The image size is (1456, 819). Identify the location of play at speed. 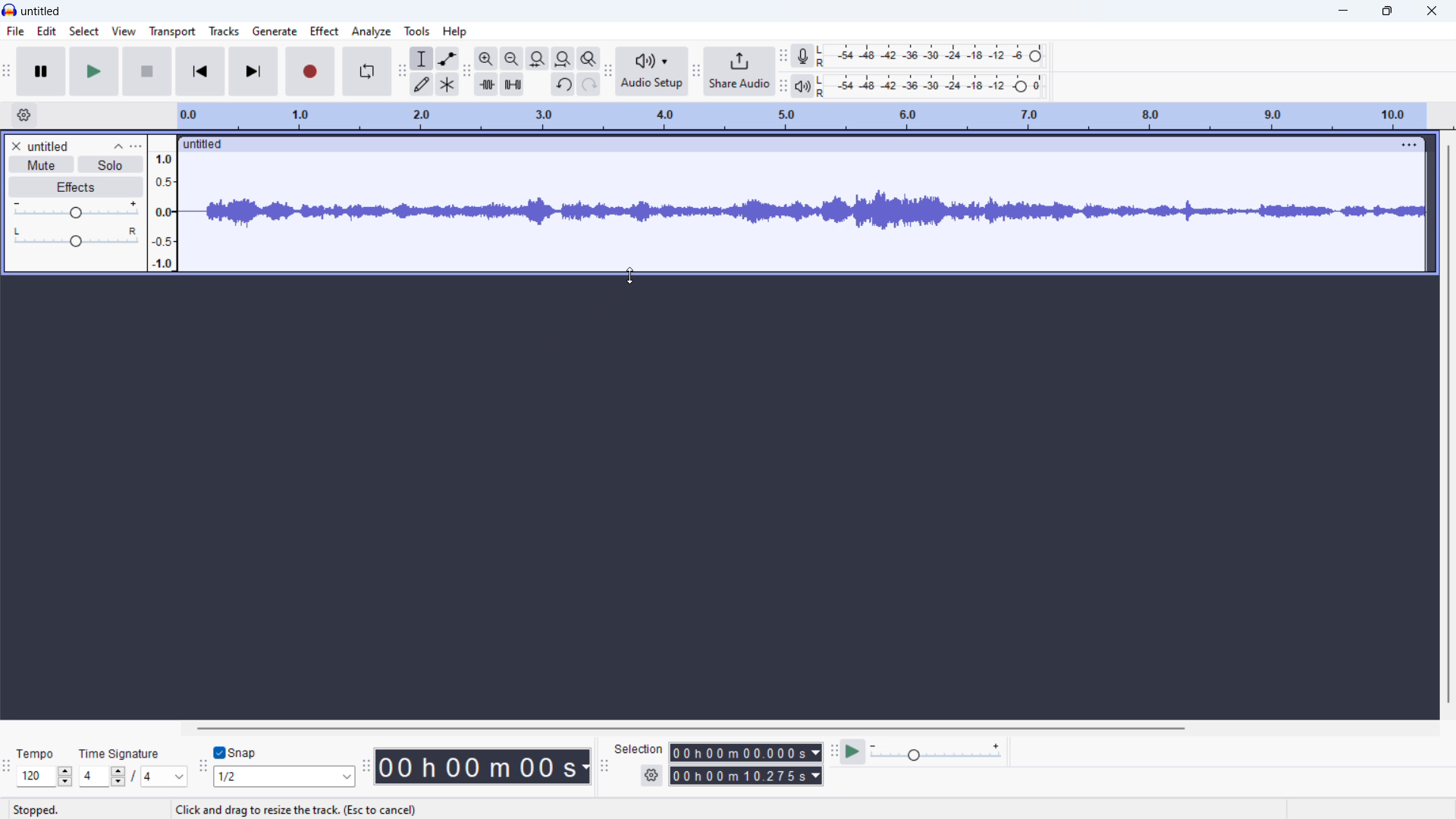
(854, 751).